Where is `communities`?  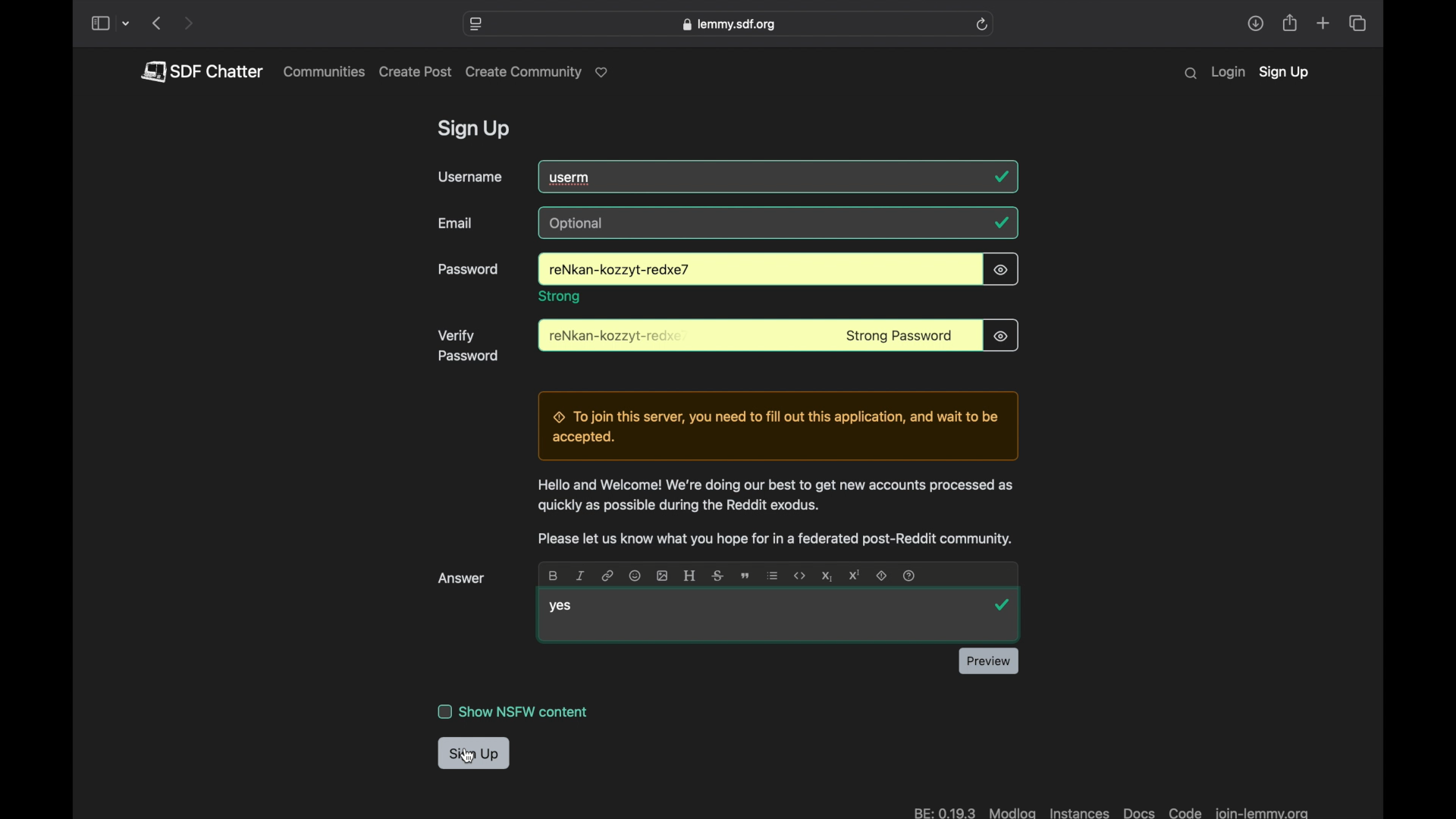
communities is located at coordinates (325, 71).